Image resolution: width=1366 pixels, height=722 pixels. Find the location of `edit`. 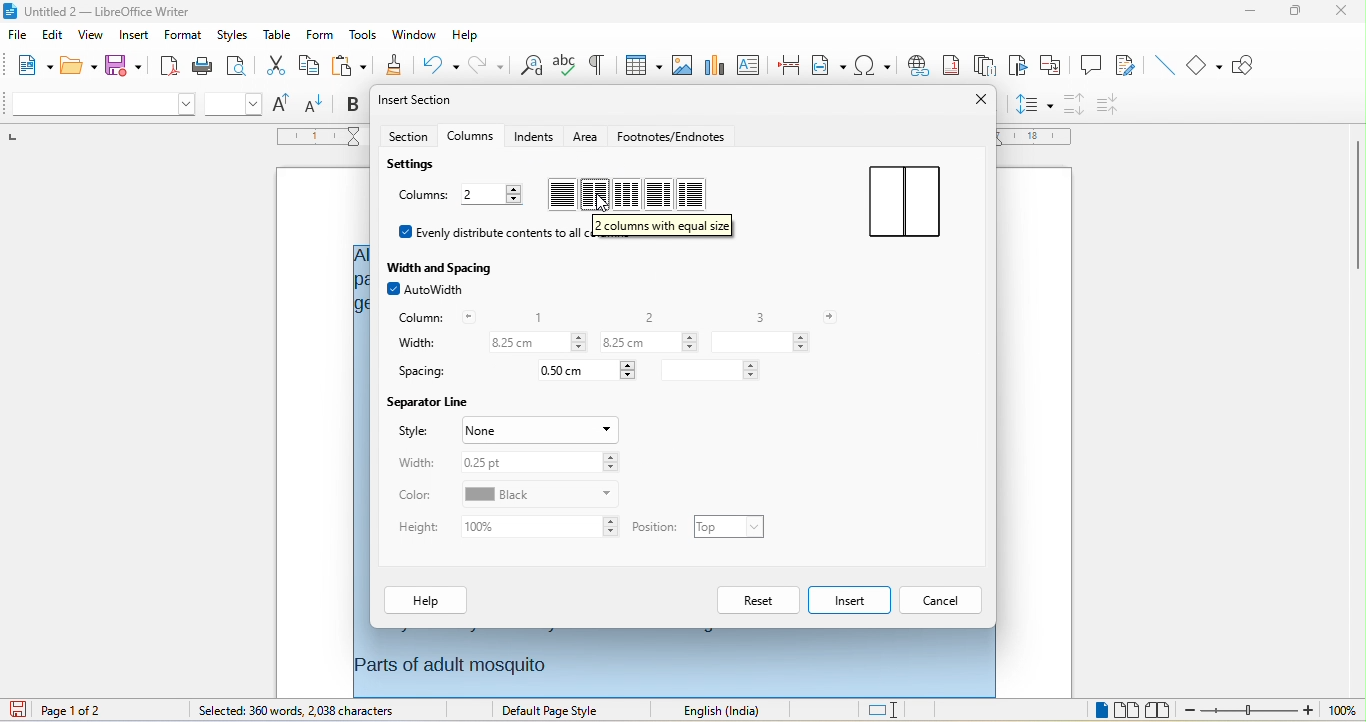

edit is located at coordinates (52, 35).